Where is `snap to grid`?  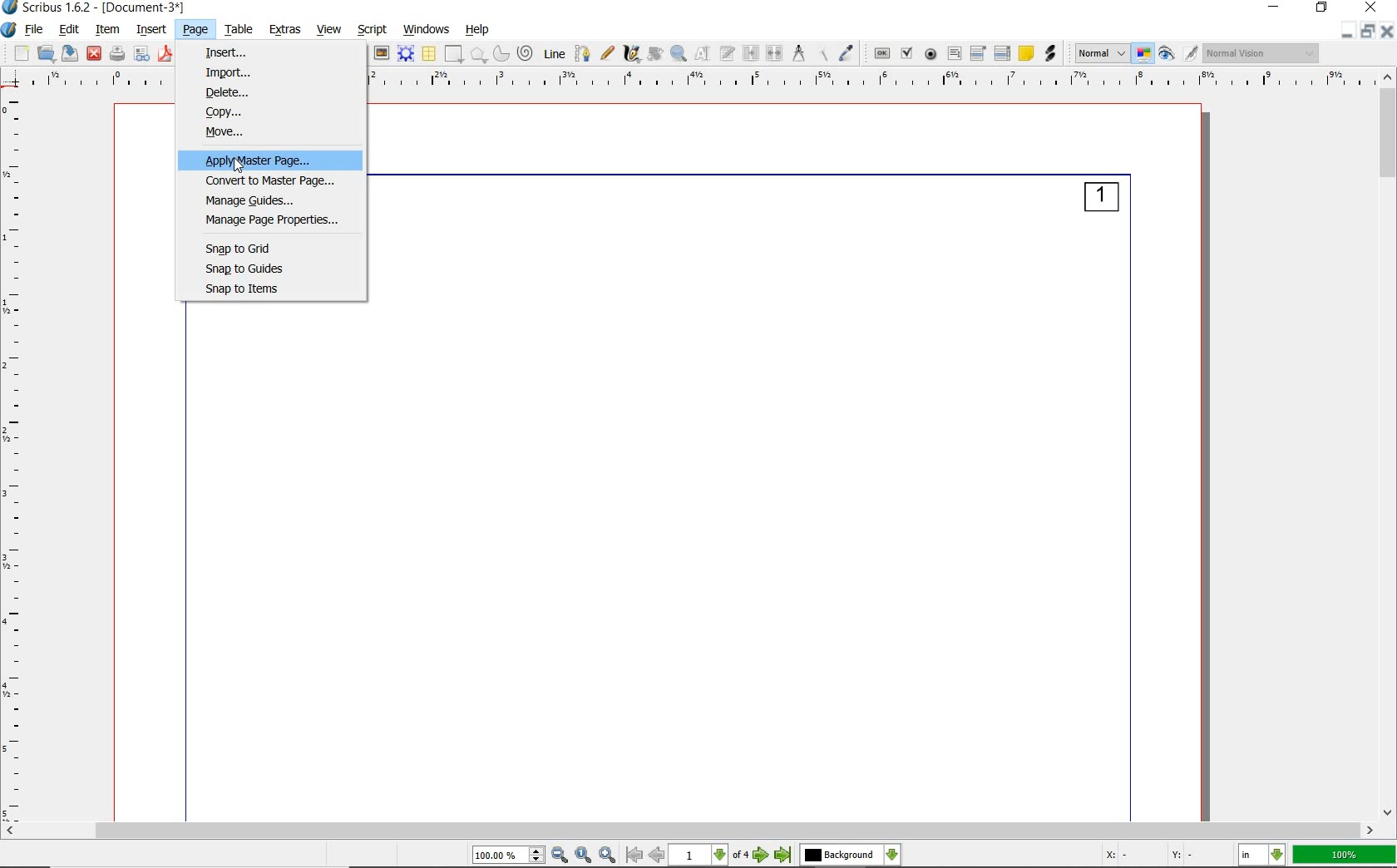
snap to grid is located at coordinates (249, 247).